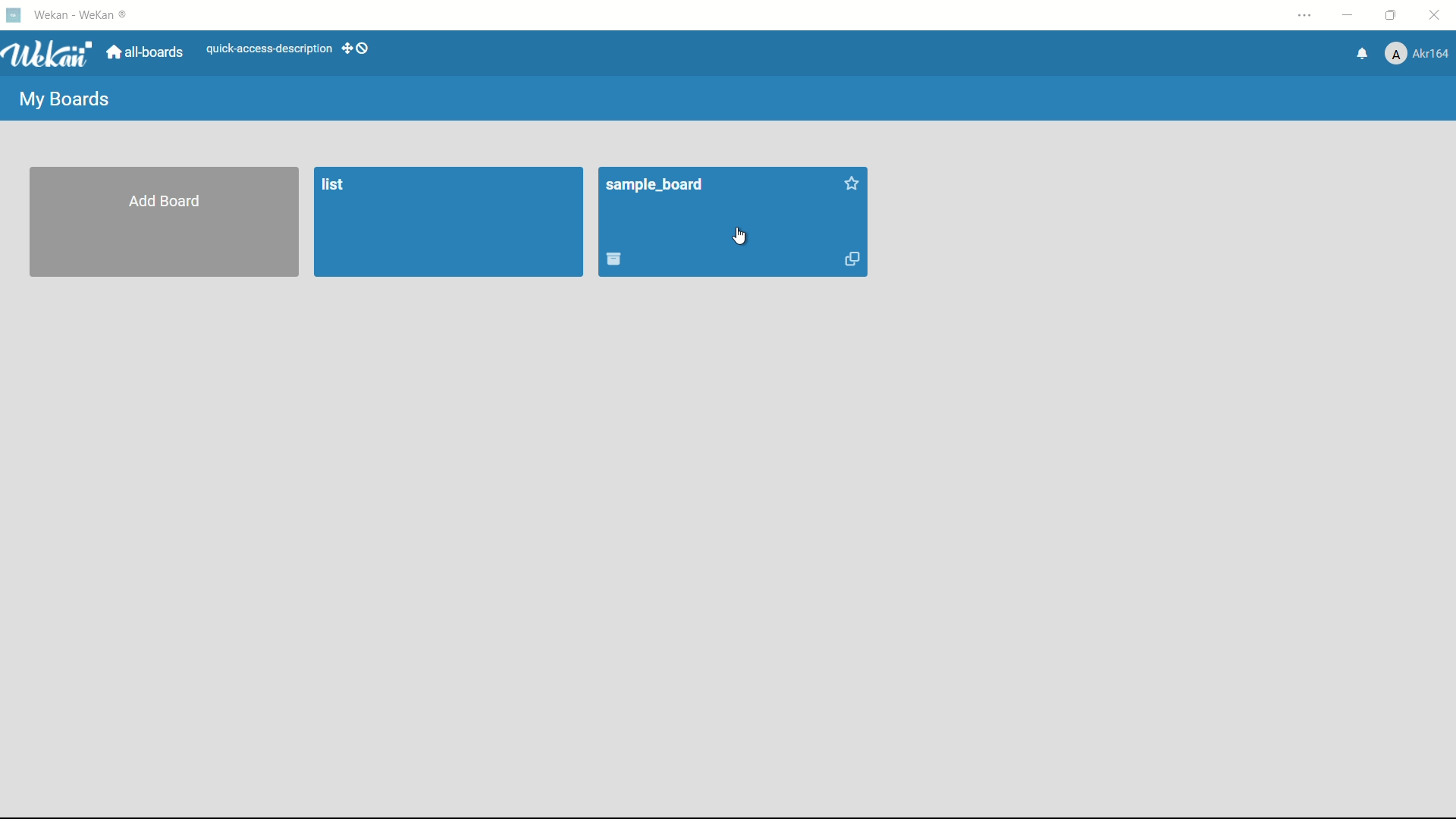  What do you see at coordinates (64, 100) in the screenshot?
I see `my boards` at bounding box center [64, 100].